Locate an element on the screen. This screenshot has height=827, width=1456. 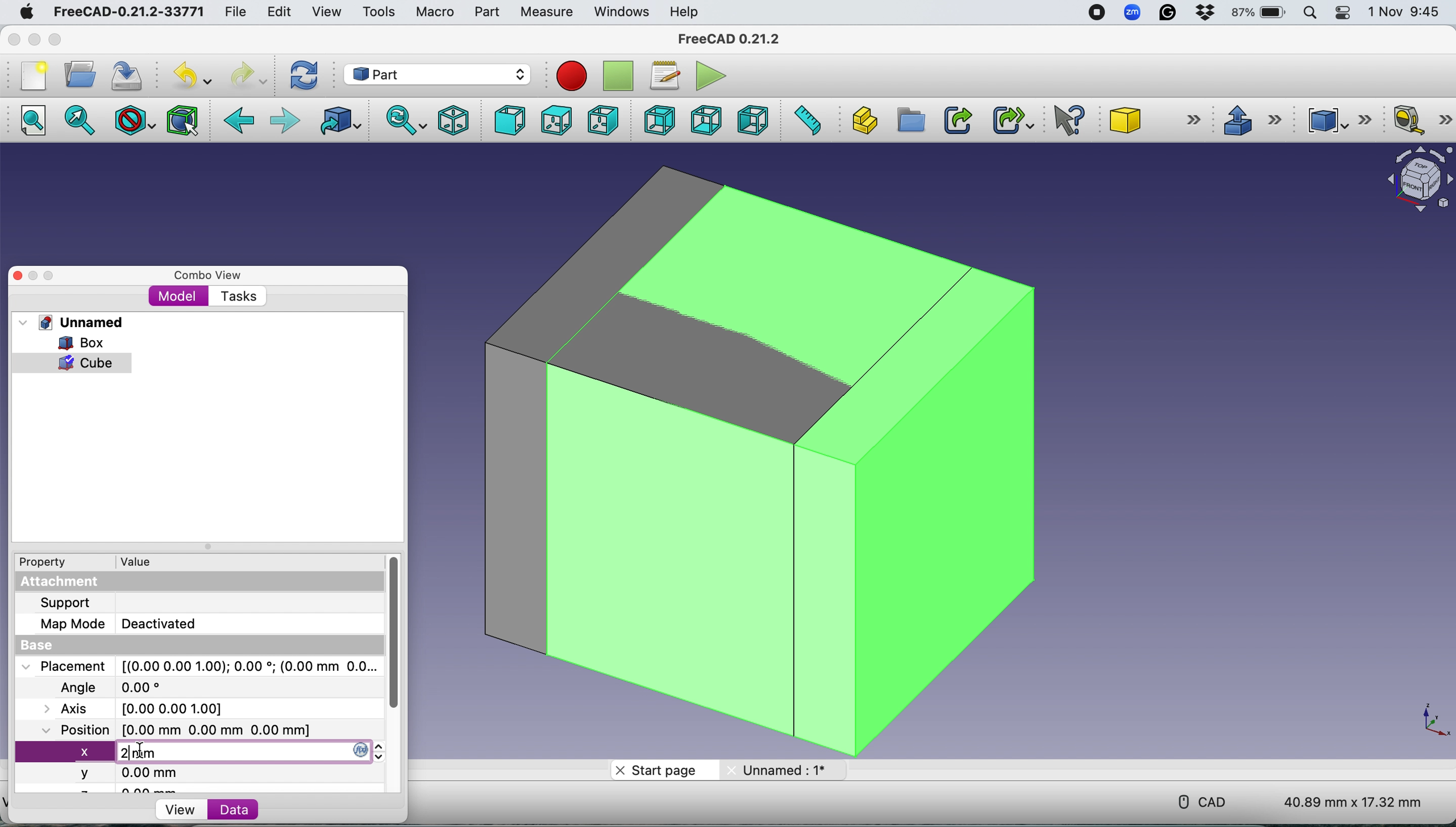
cube selected is located at coordinates (78, 364).